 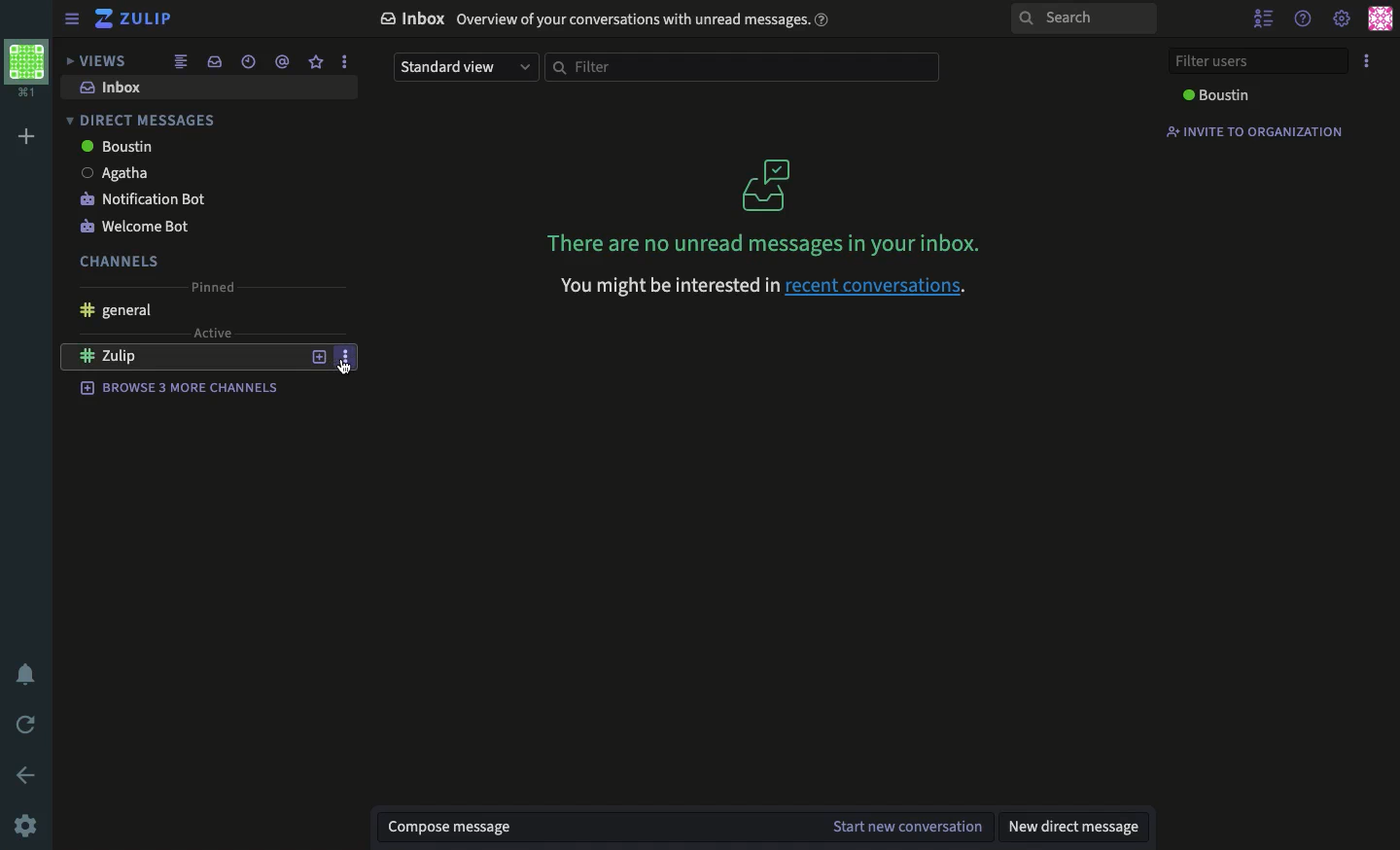 What do you see at coordinates (453, 827) in the screenshot?
I see `compose message` at bounding box center [453, 827].